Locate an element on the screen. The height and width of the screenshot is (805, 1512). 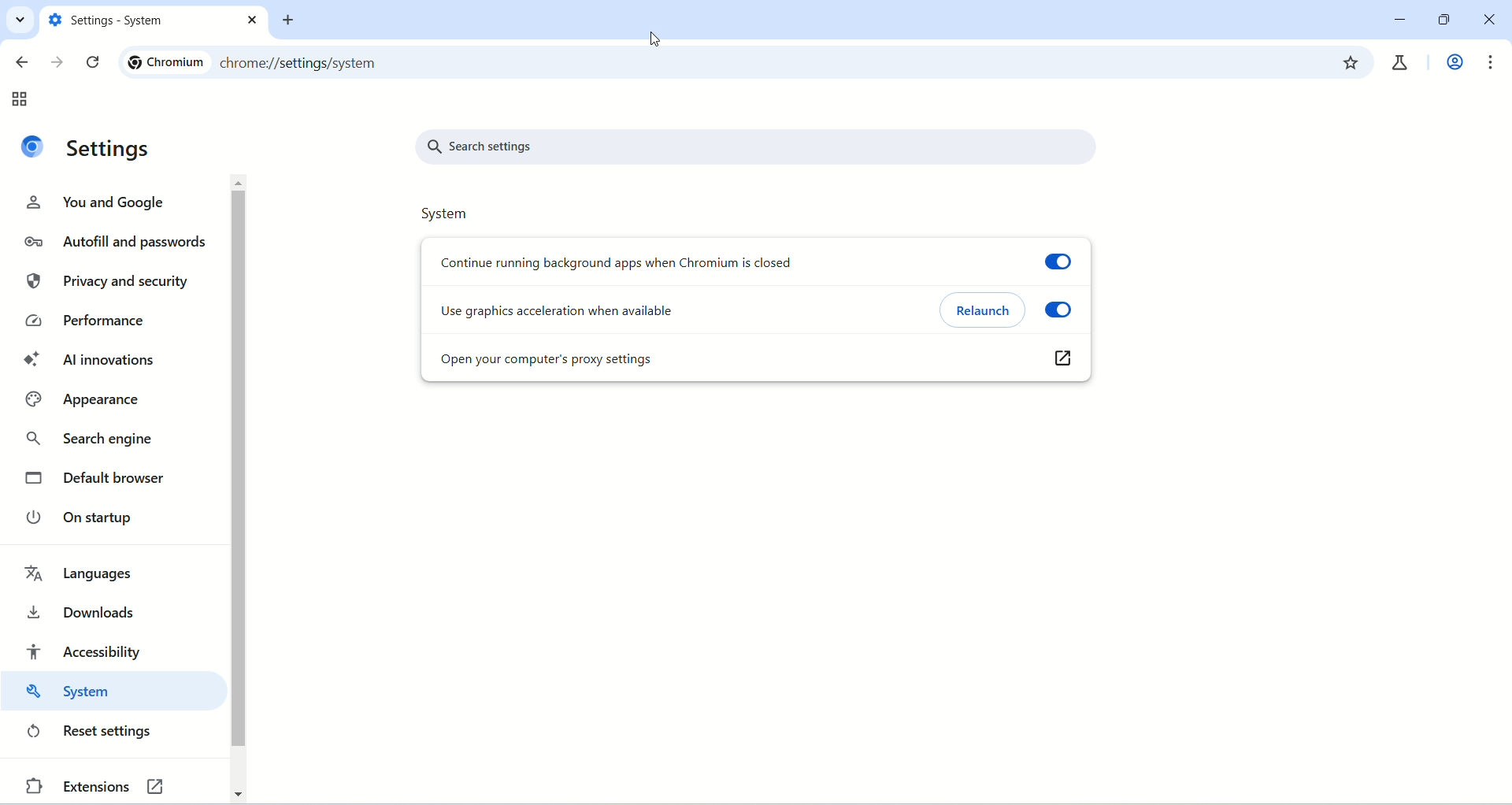
reload is located at coordinates (93, 63).